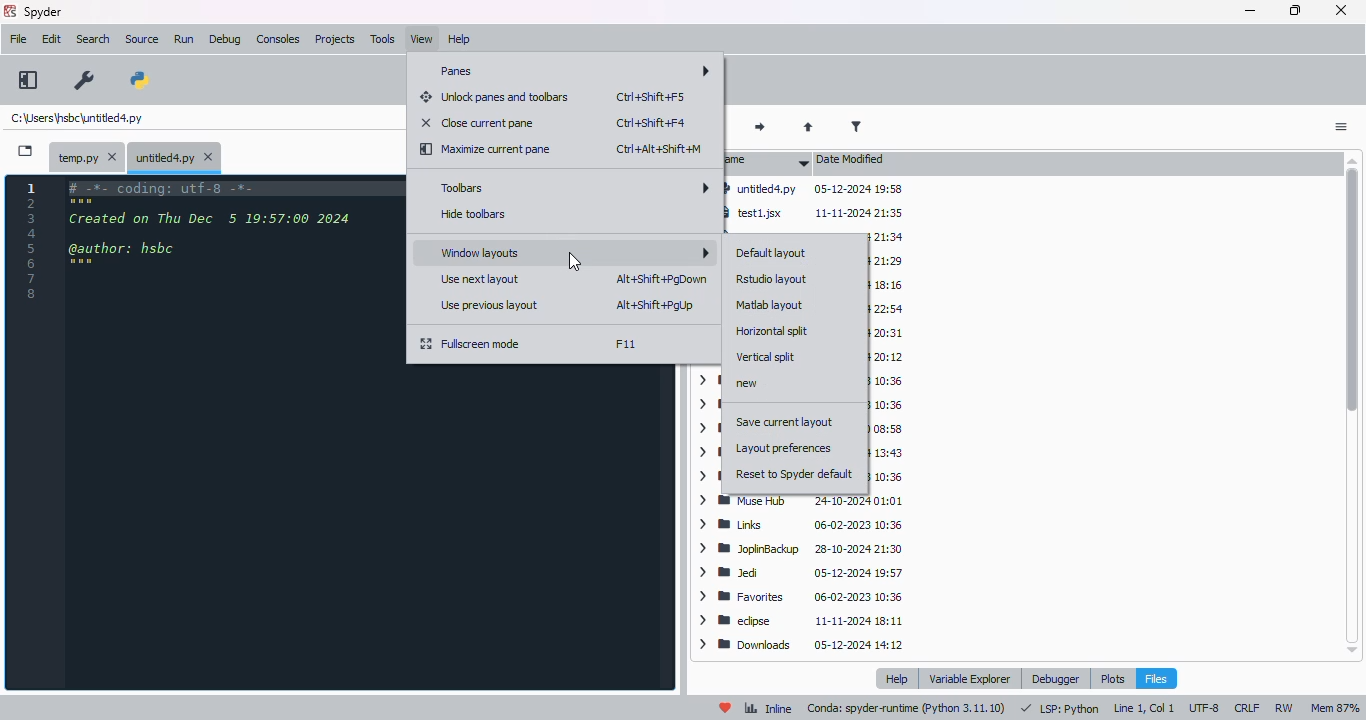 The height and width of the screenshot is (720, 1366). Describe the element at coordinates (888, 358) in the screenshot. I see `vault 1` at that location.